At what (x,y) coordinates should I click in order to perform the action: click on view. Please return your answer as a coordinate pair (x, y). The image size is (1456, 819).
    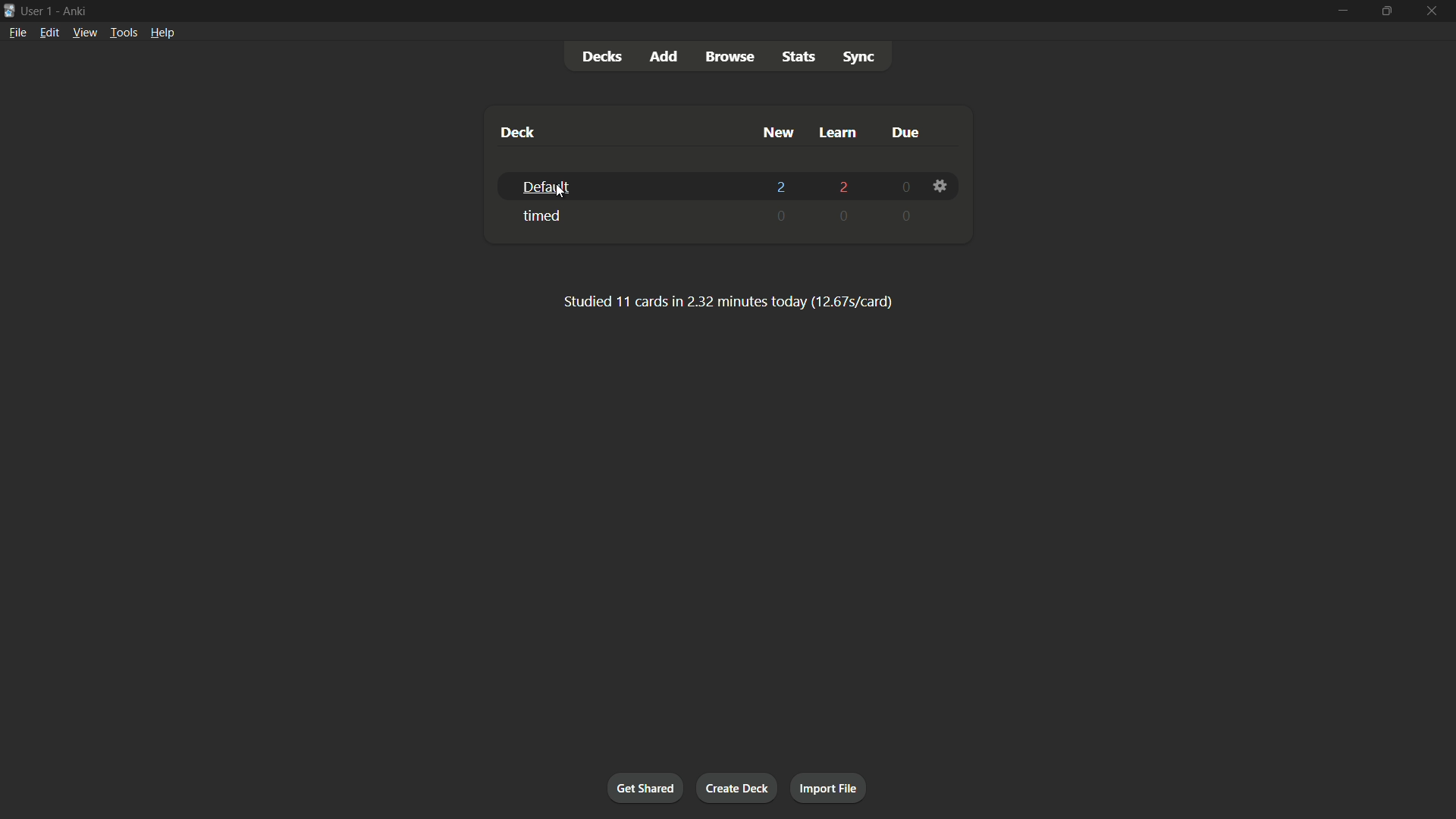
    Looking at the image, I should click on (84, 32).